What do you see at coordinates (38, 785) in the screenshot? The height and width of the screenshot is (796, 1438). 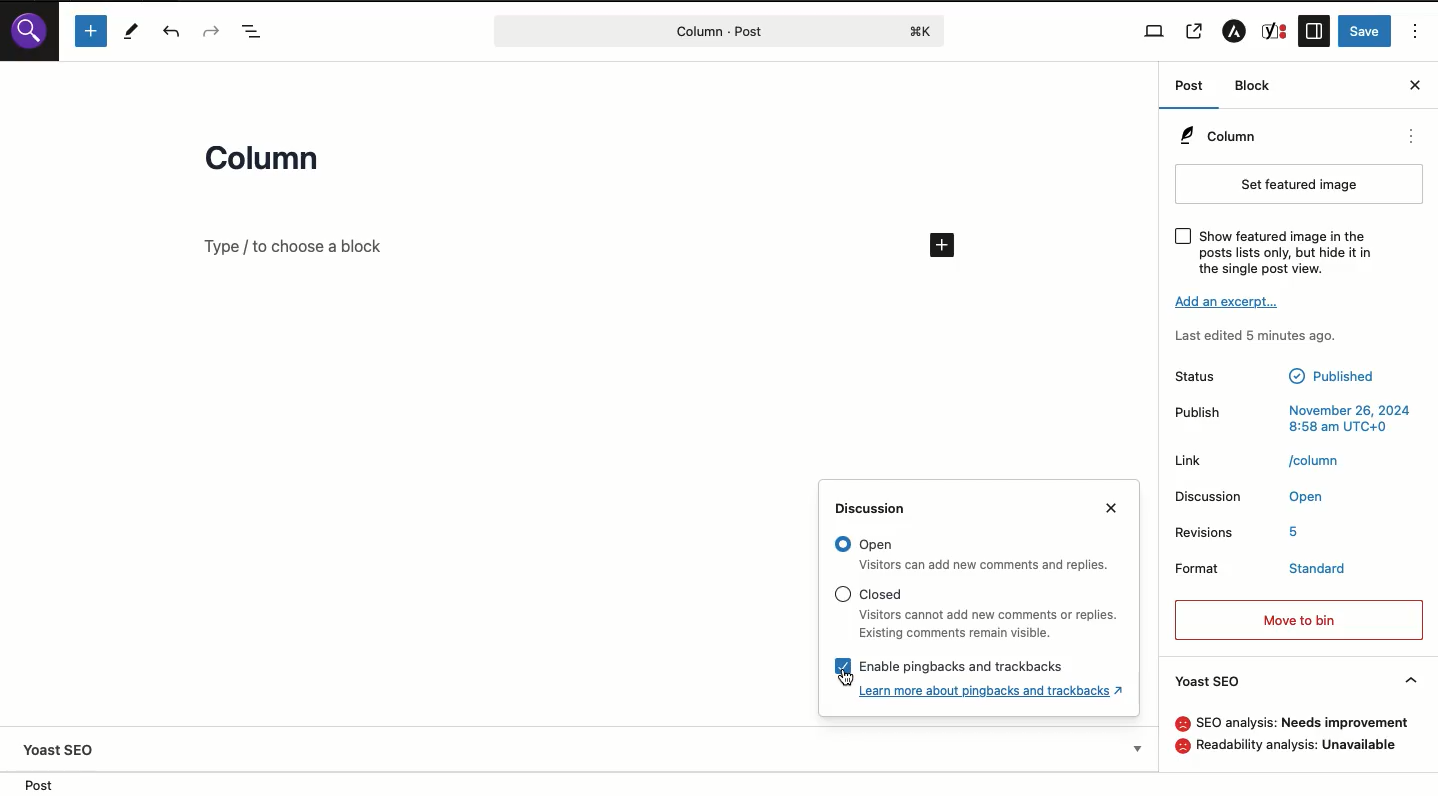 I see `post` at bounding box center [38, 785].